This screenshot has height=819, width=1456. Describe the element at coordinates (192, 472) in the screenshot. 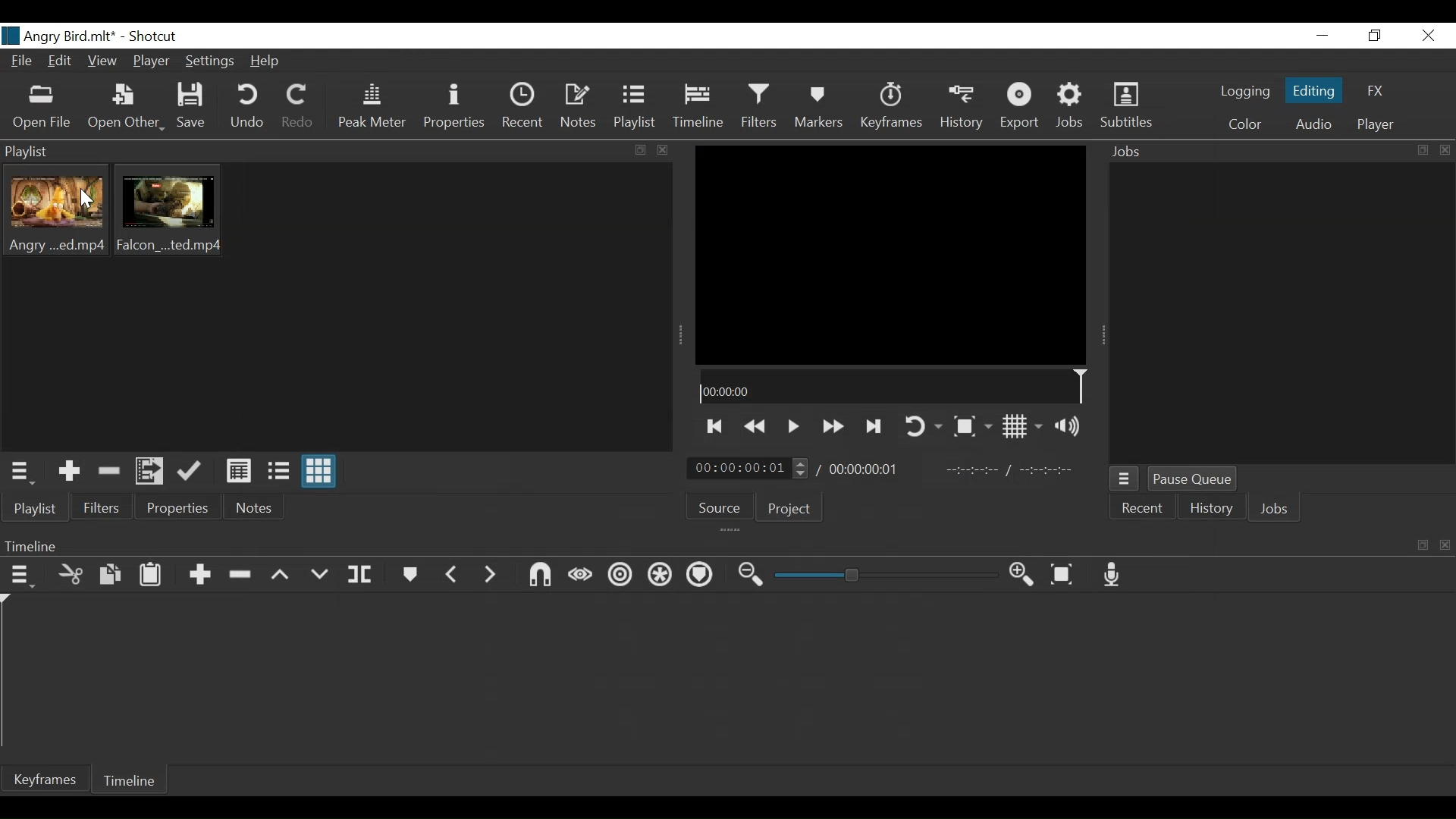

I see `Update` at that location.